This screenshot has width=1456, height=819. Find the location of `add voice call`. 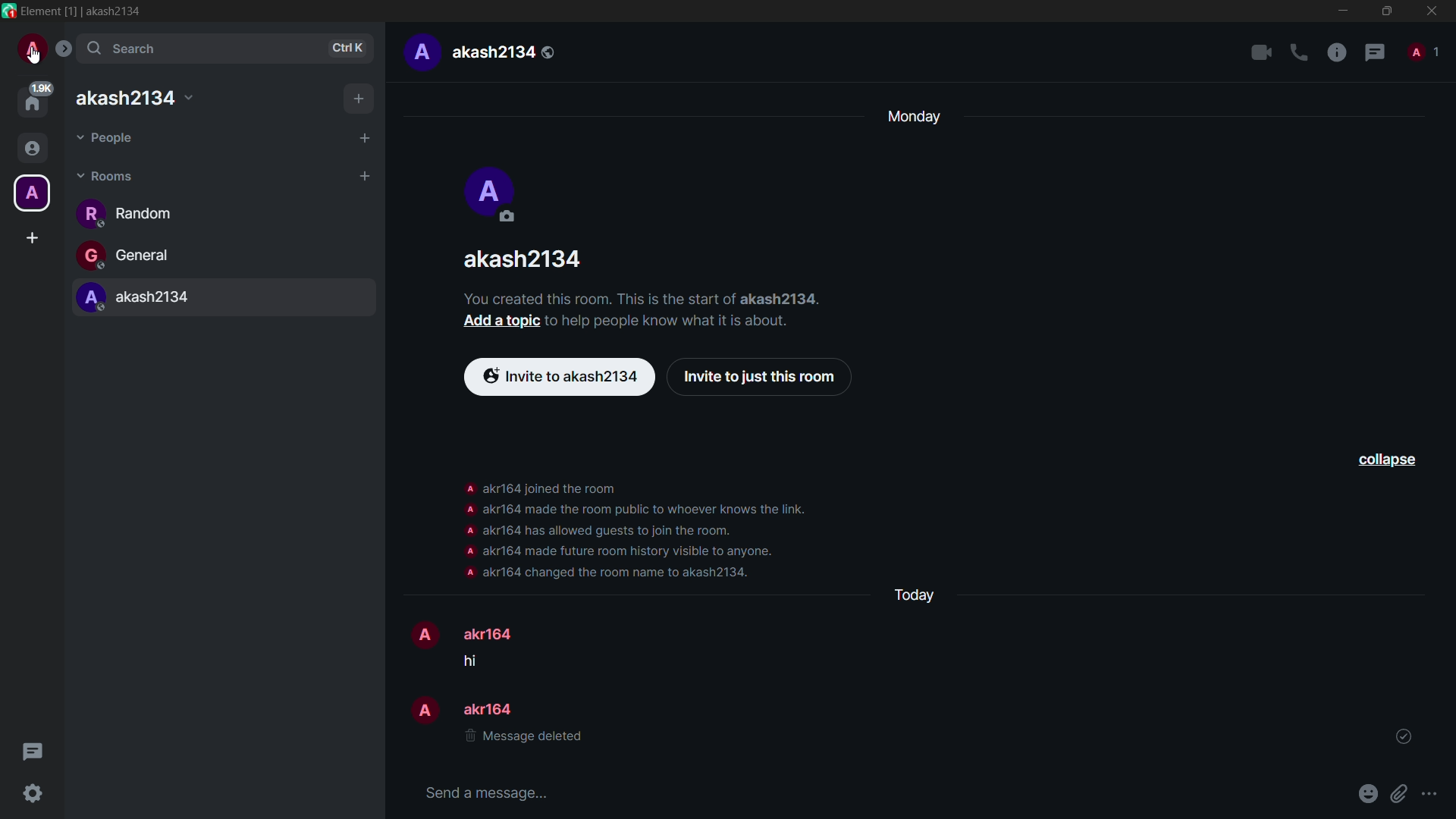

add voice call is located at coordinates (1299, 53).